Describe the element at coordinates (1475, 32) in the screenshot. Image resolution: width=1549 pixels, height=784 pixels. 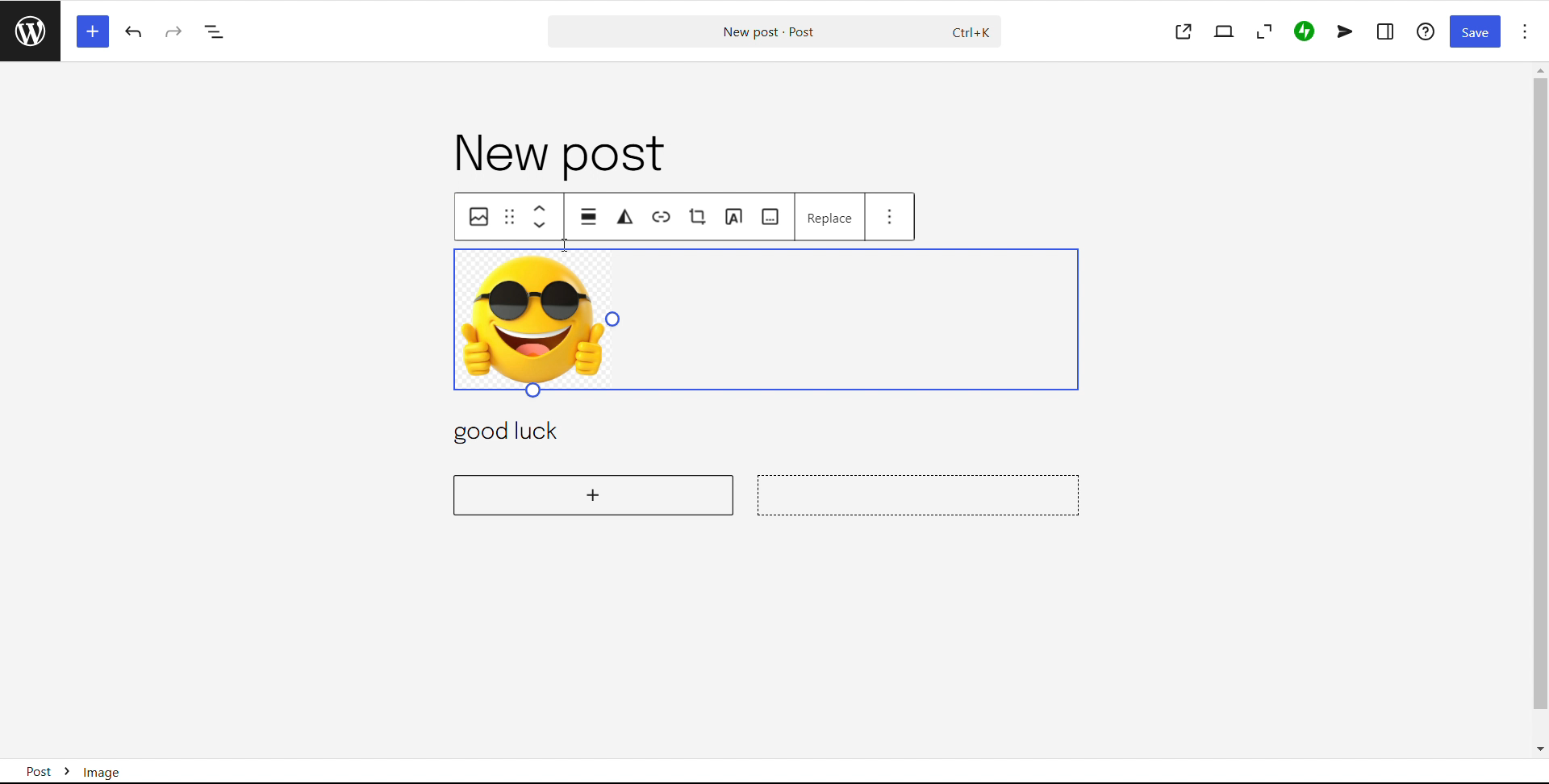
I see `save` at that location.